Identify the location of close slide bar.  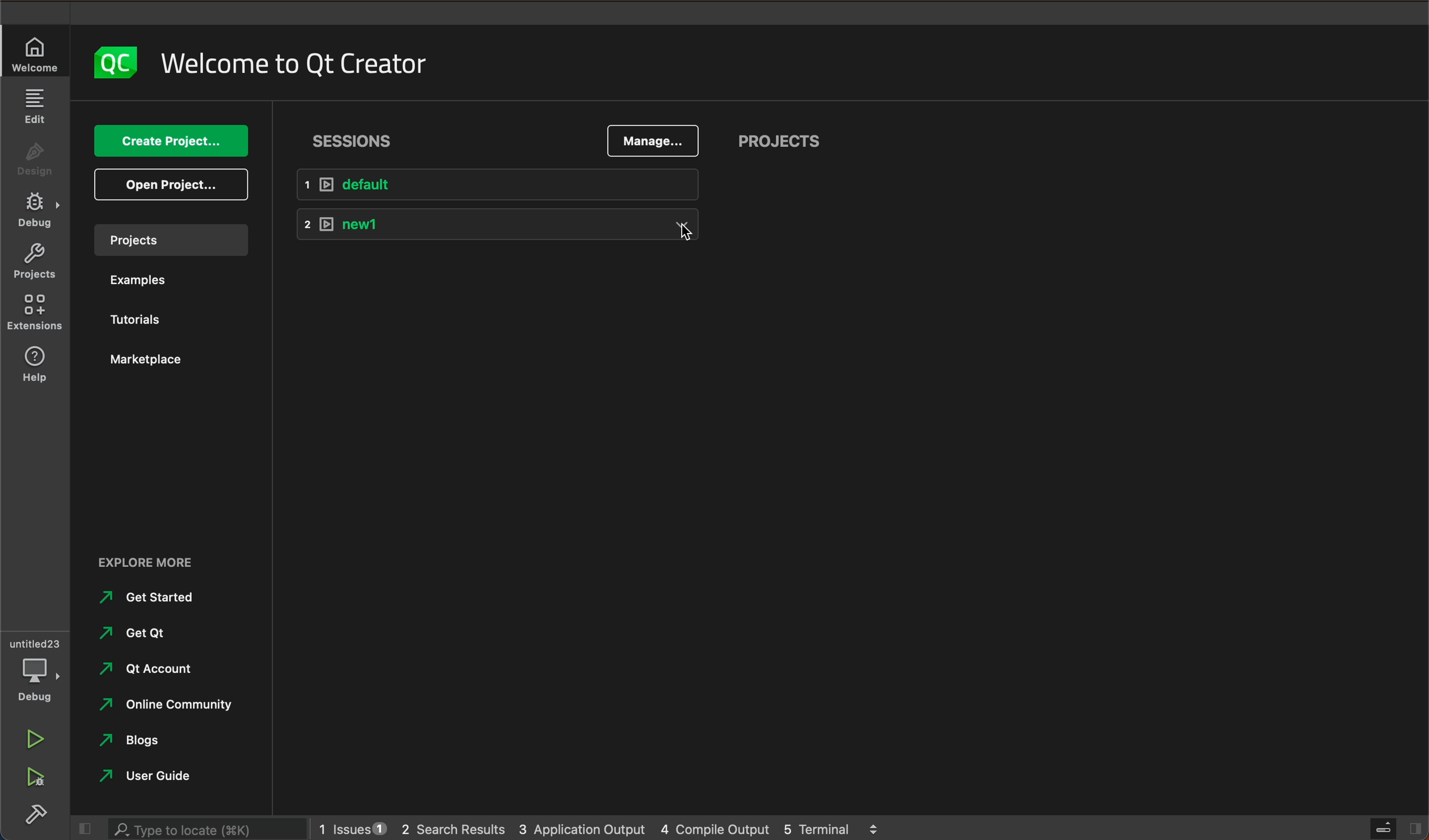
(1392, 828).